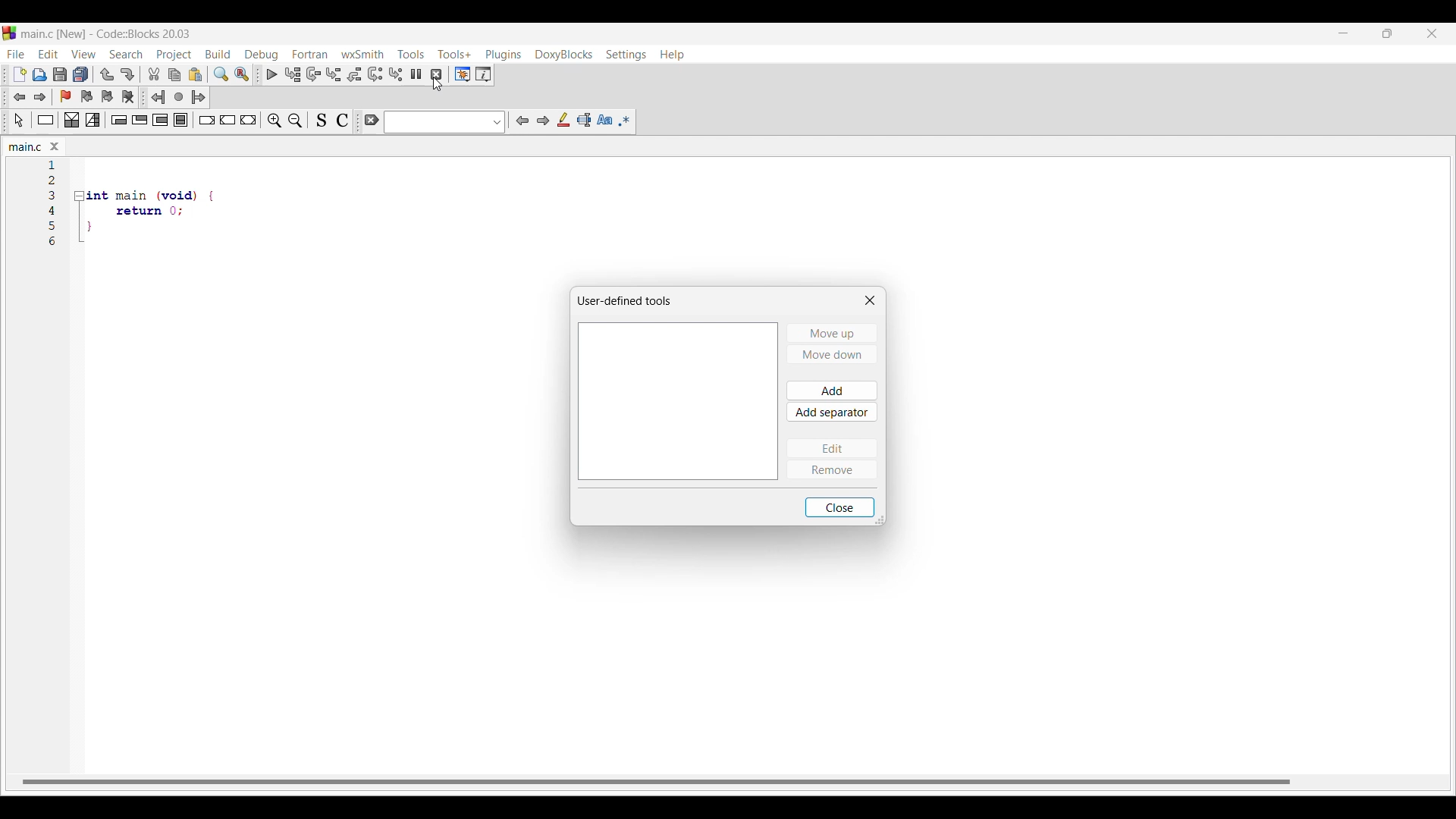 This screenshot has width=1456, height=819. I want to click on Step into instruction, so click(397, 74).